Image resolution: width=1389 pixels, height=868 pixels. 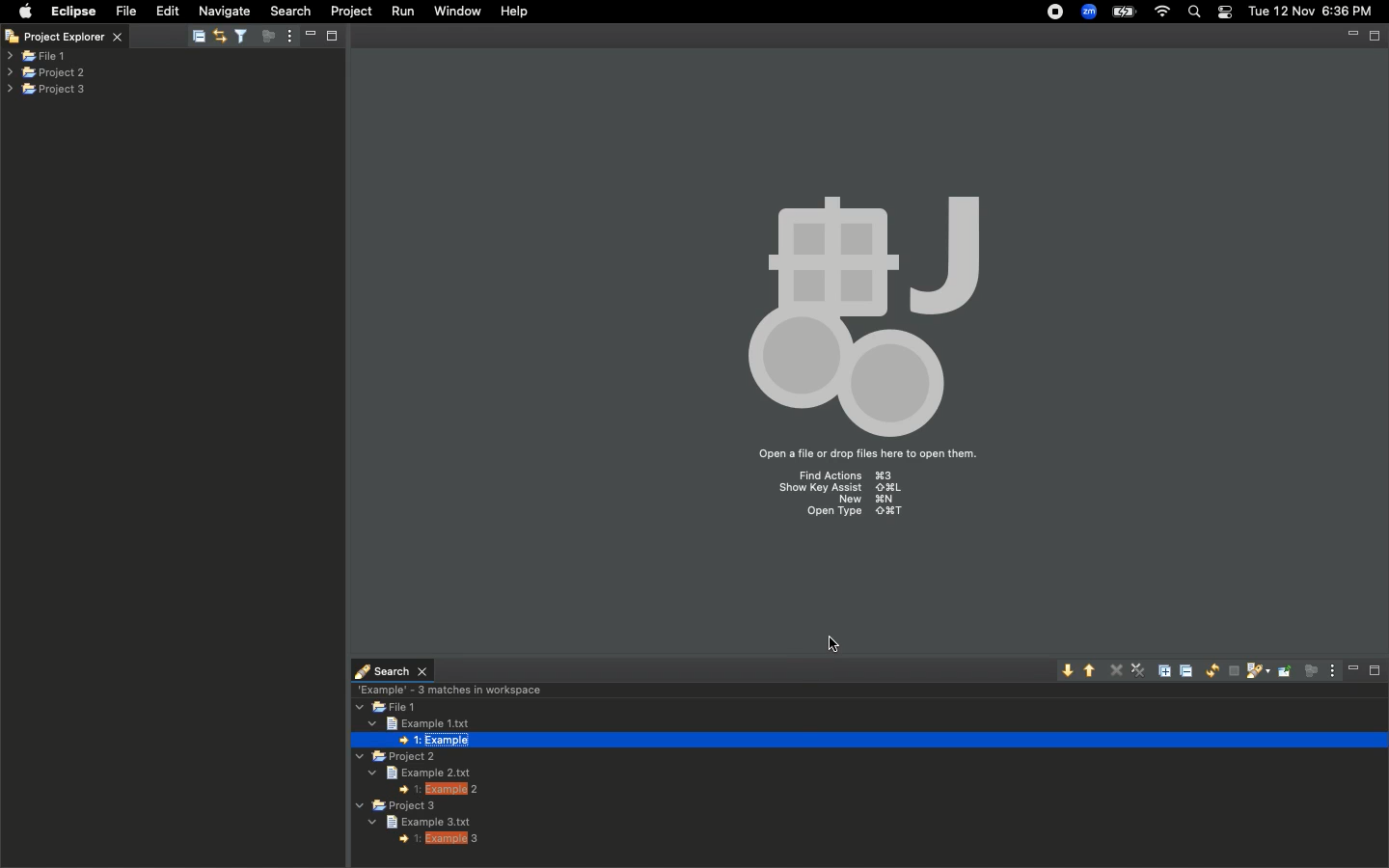 What do you see at coordinates (431, 820) in the screenshot?
I see `Example text` at bounding box center [431, 820].